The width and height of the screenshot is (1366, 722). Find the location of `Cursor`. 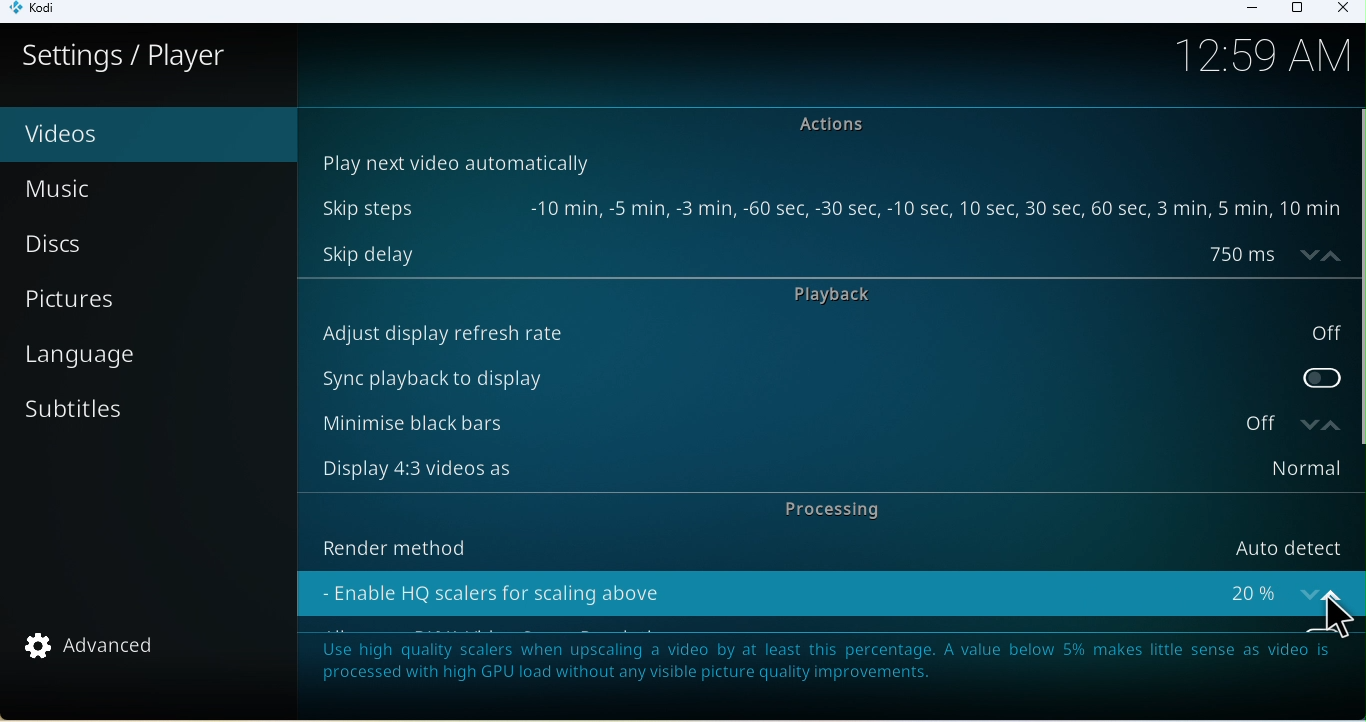

Cursor is located at coordinates (1332, 621).